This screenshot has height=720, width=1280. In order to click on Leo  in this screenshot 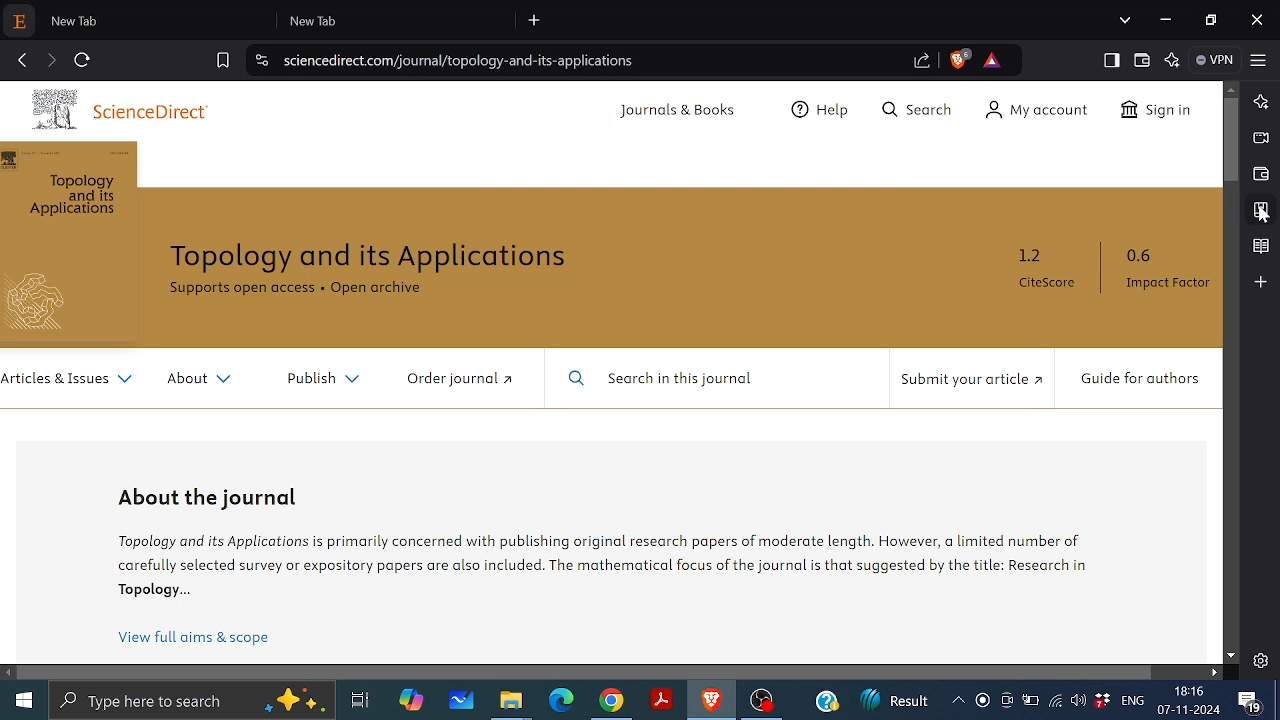, I will do `click(1262, 100)`.